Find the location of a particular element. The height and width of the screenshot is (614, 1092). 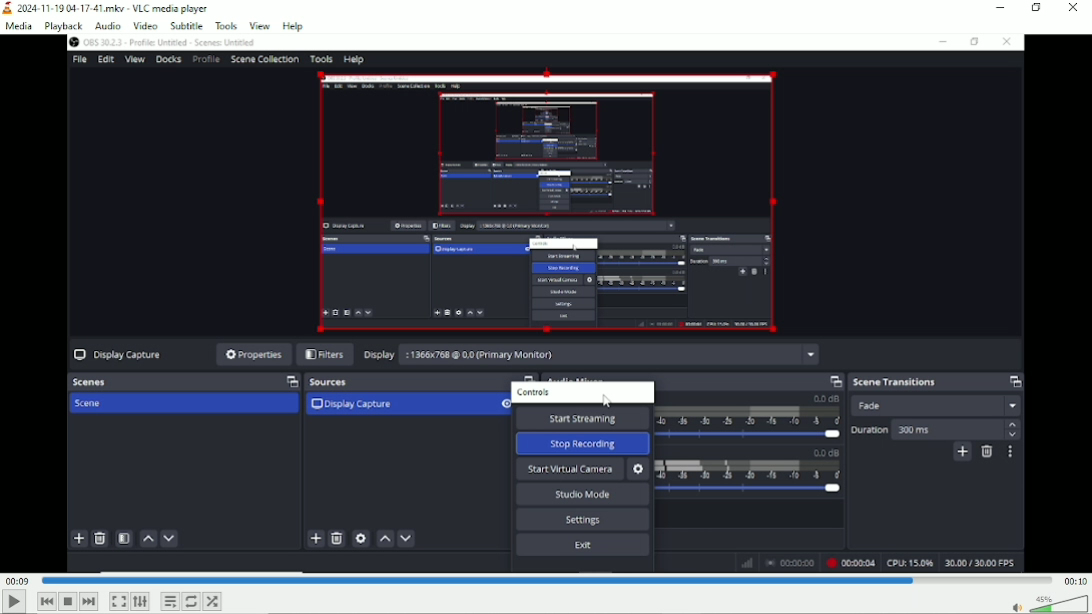

00:09 is located at coordinates (18, 580).